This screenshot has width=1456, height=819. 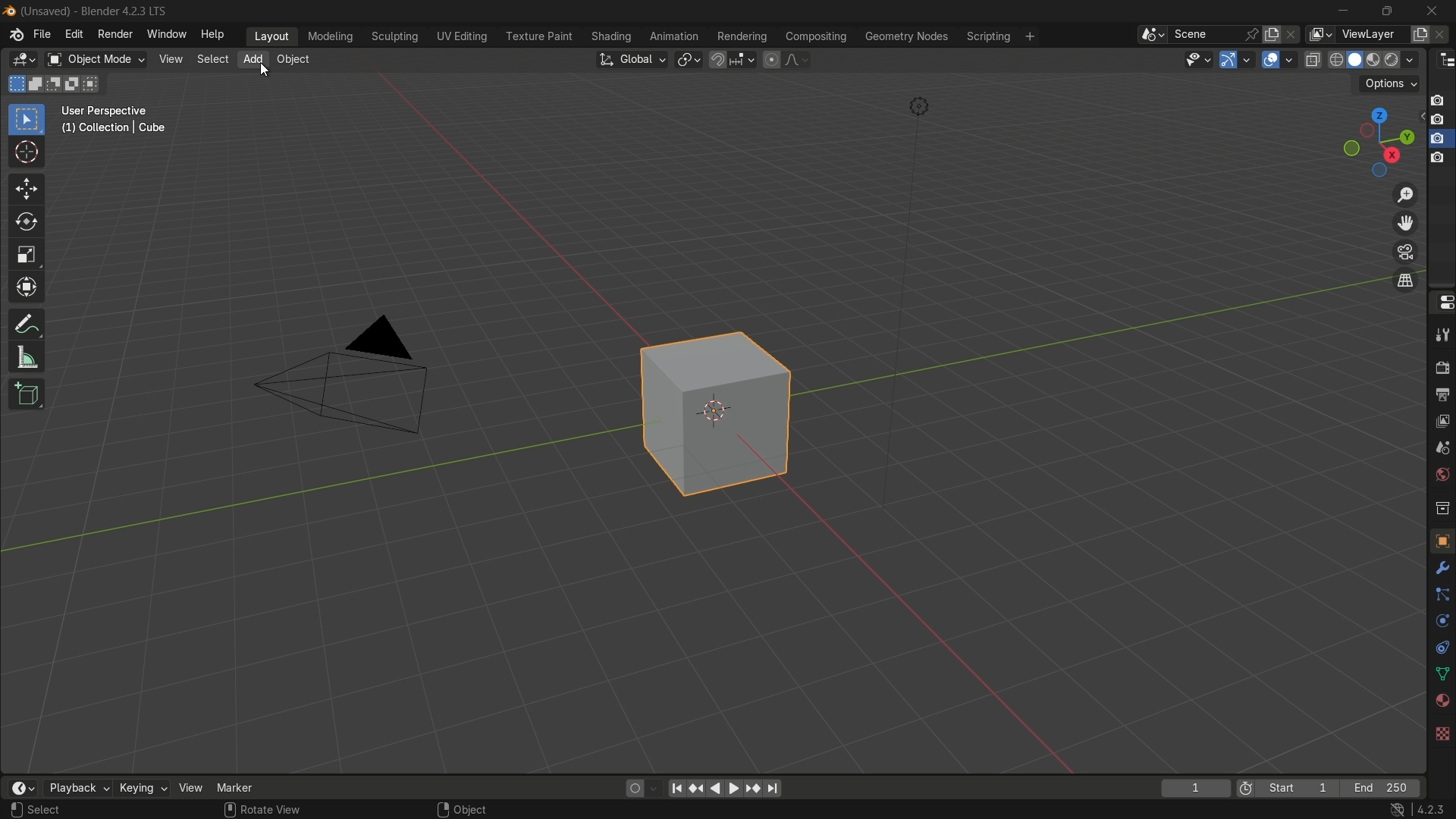 What do you see at coordinates (1431, 810) in the screenshot?
I see `4.2.3` at bounding box center [1431, 810].